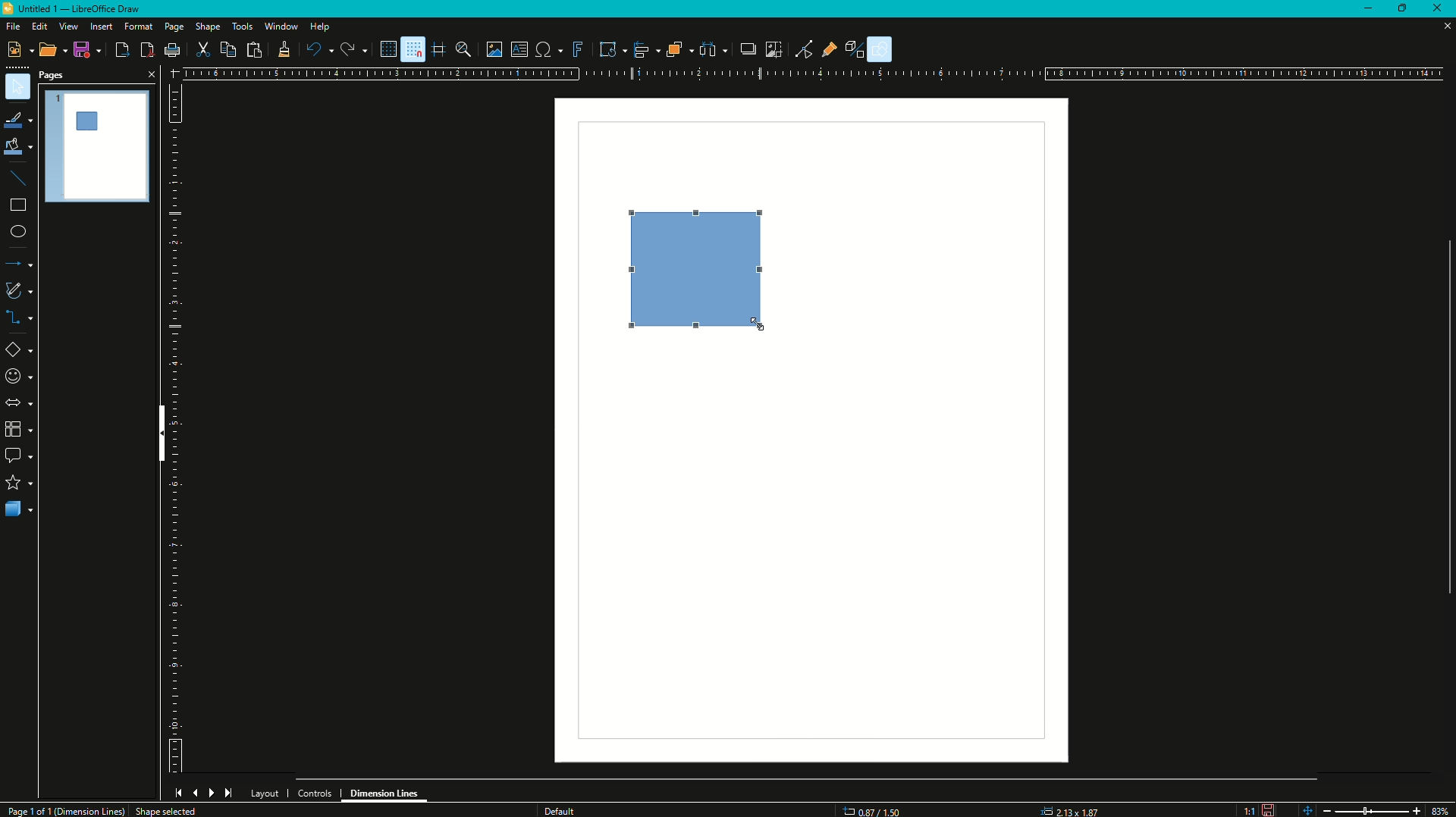 The height and width of the screenshot is (817, 1456). Describe the element at coordinates (18, 119) in the screenshot. I see `Line Color` at that location.